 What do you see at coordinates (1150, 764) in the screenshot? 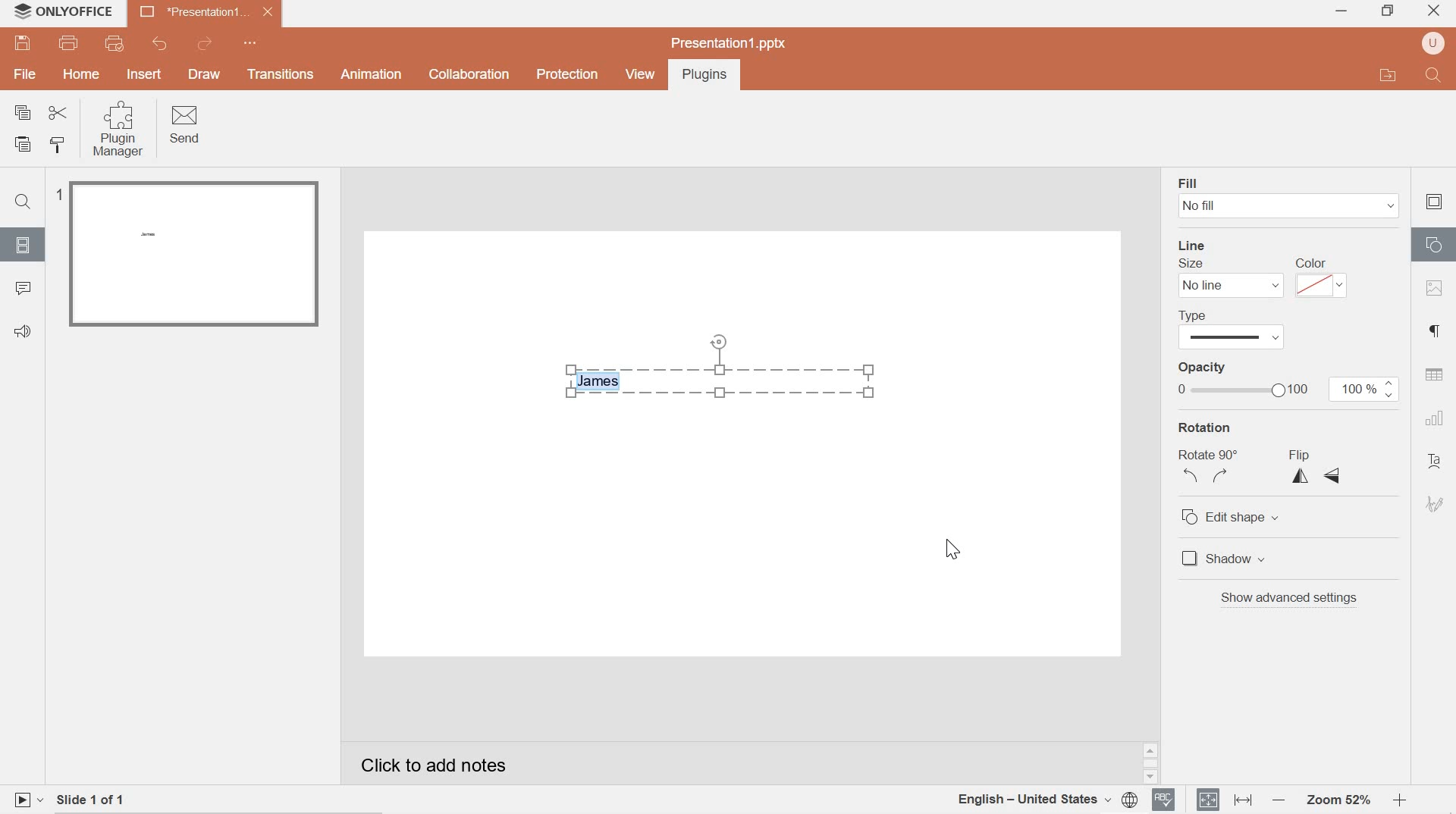
I see `scrollbar` at bounding box center [1150, 764].